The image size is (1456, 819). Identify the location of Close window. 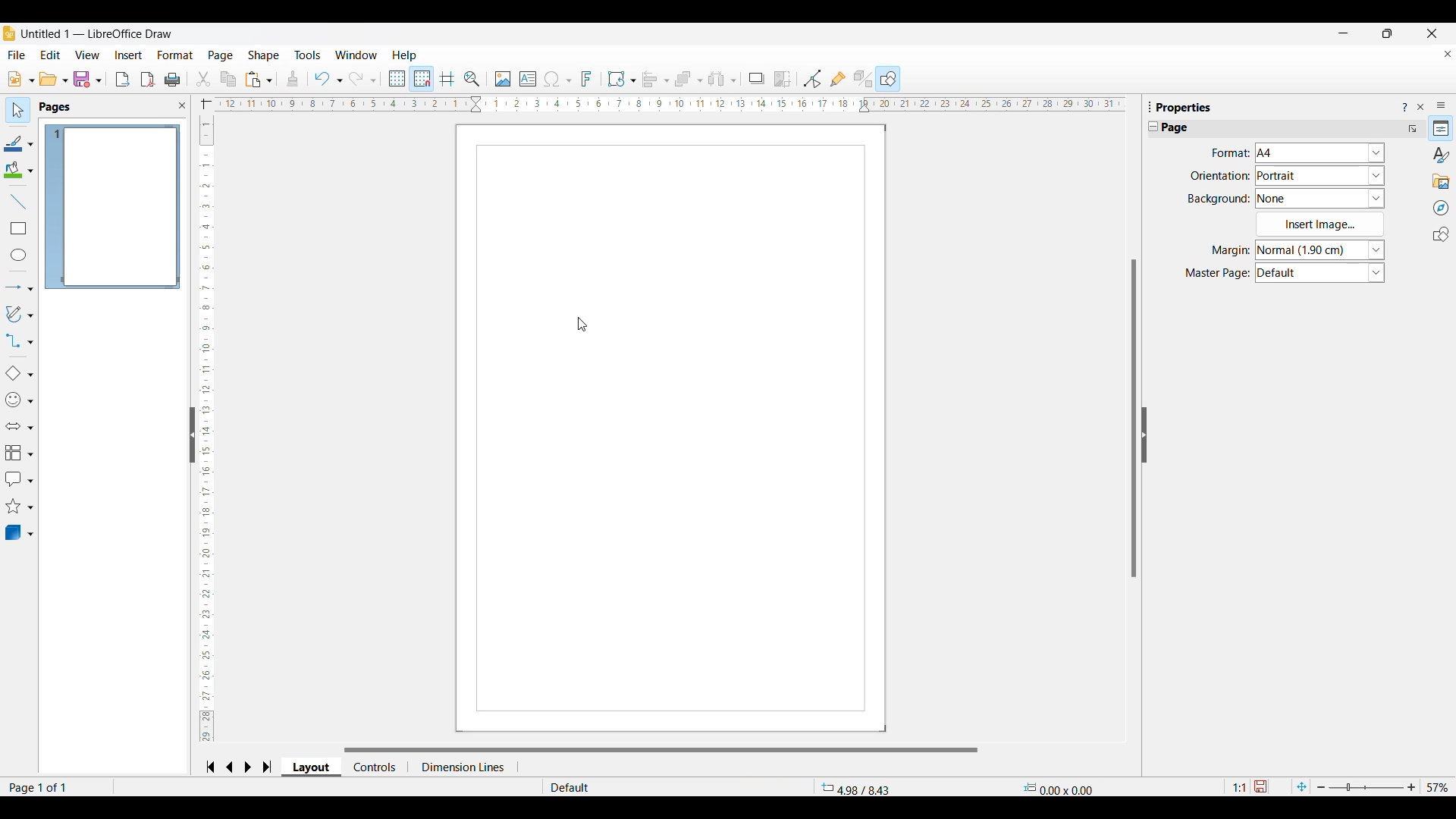
(1432, 33).